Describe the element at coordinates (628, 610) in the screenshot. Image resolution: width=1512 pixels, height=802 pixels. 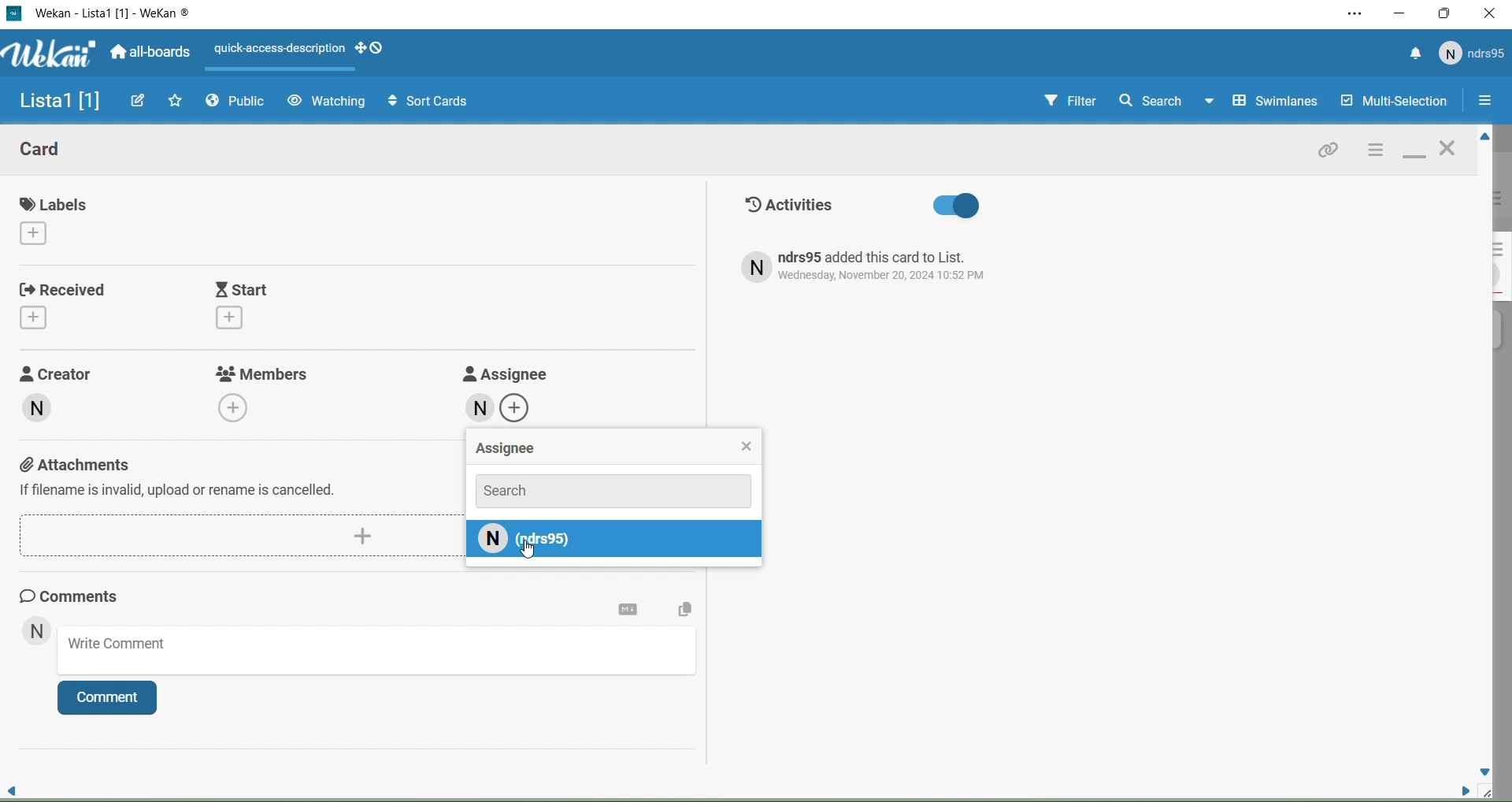
I see `settings` at that location.